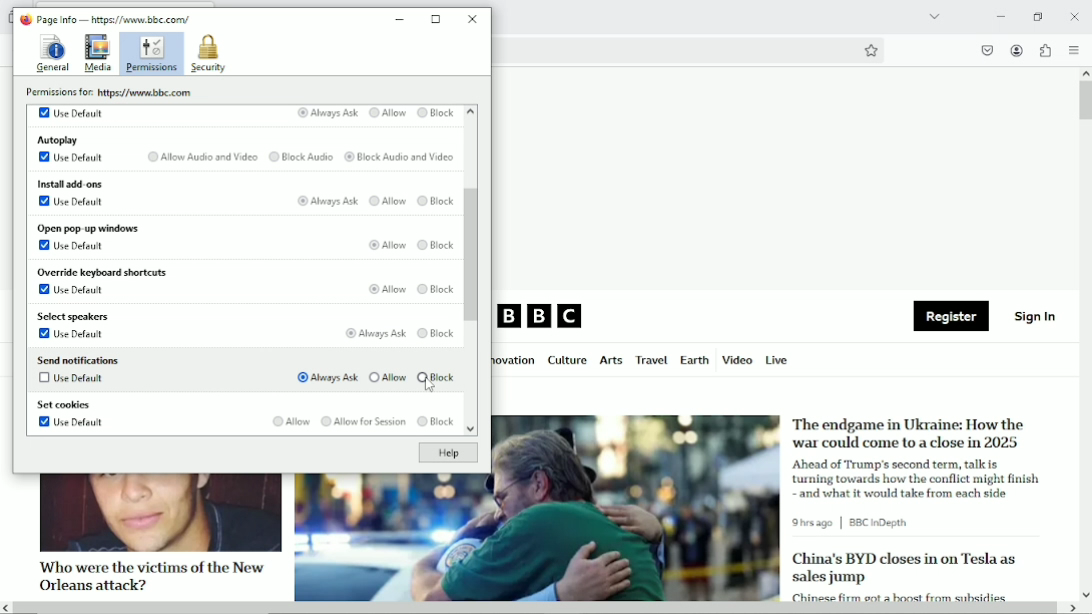  I want to click on scroll down, so click(469, 431).